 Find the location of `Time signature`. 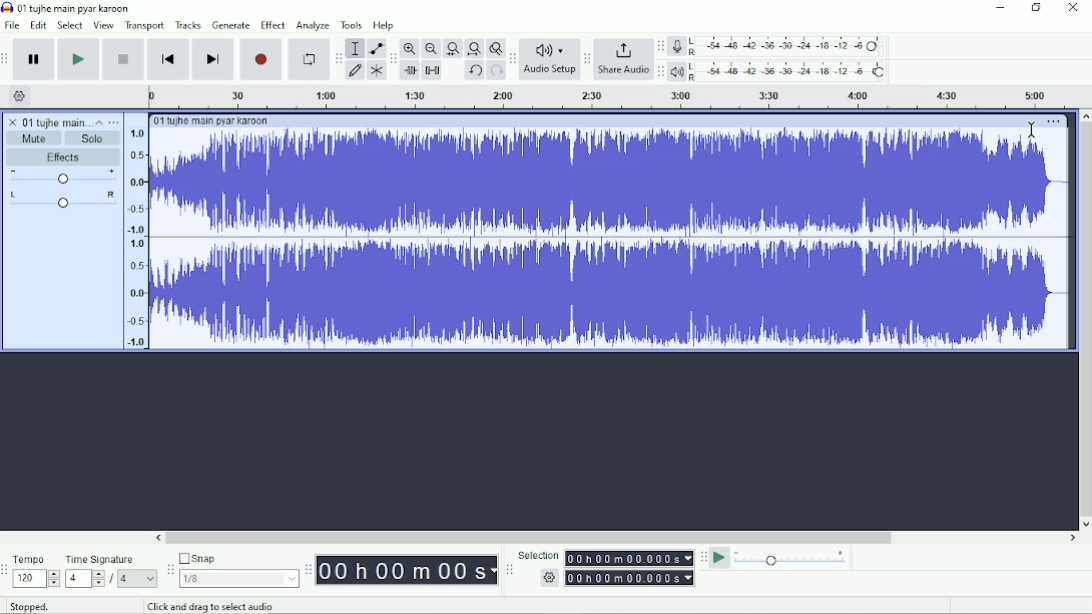

Time signature is located at coordinates (111, 559).